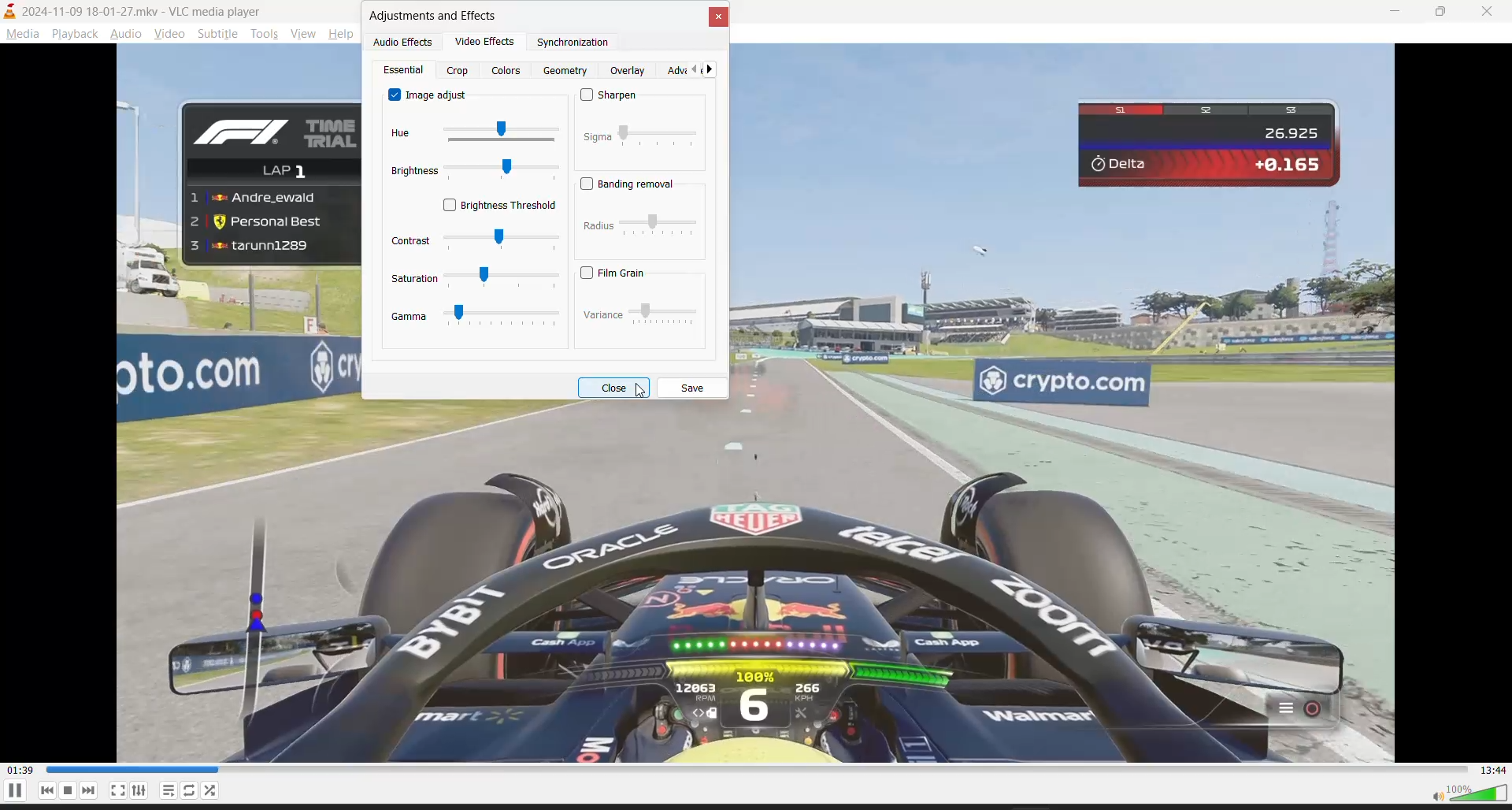 This screenshot has height=810, width=1512. I want to click on fullscreen, so click(117, 791).